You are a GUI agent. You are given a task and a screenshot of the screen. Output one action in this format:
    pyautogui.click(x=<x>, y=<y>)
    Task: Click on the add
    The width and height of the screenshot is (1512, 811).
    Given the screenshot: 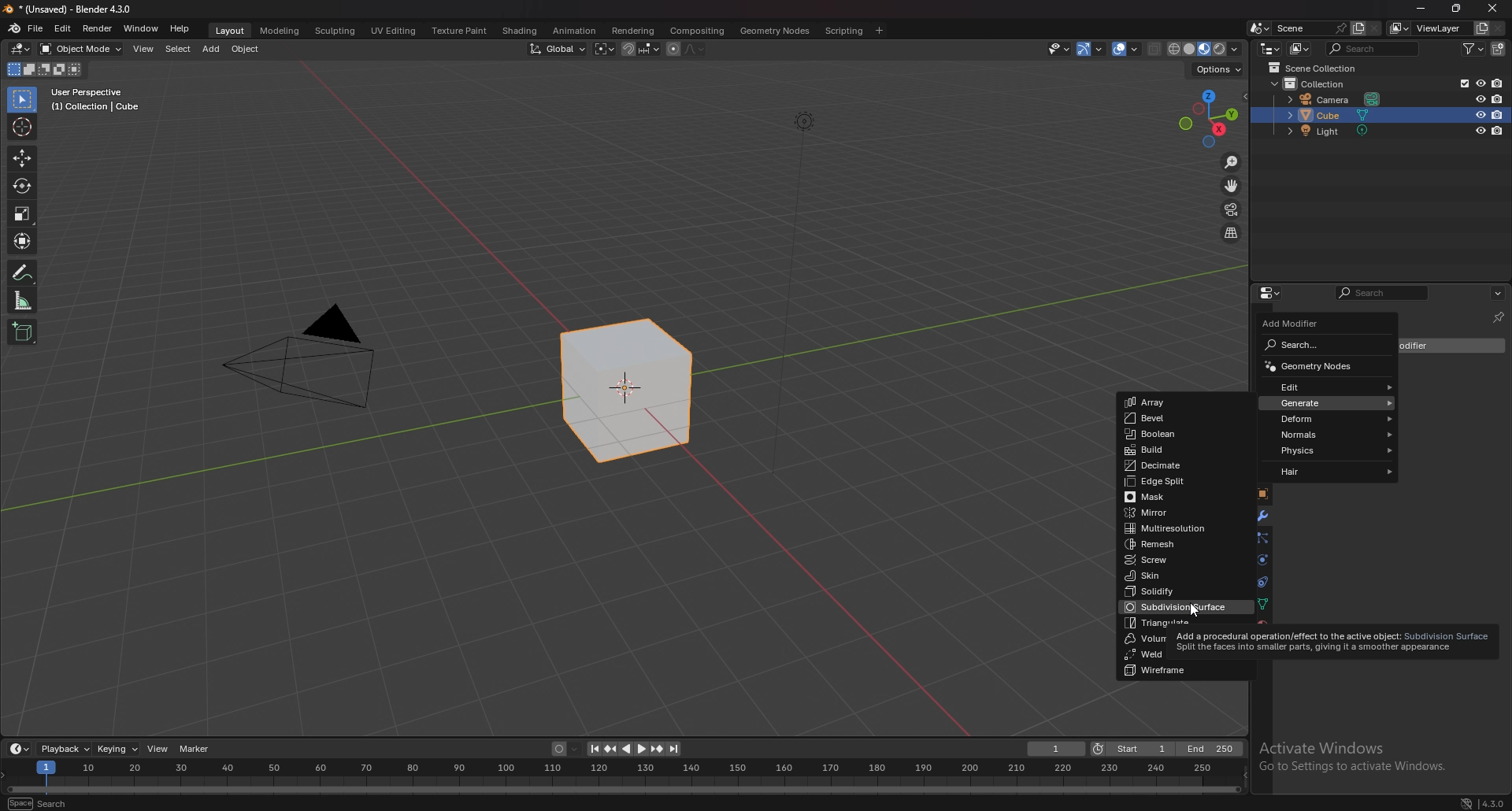 What is the action you would take?
    pyautogui.click(x=212, y=49)
    